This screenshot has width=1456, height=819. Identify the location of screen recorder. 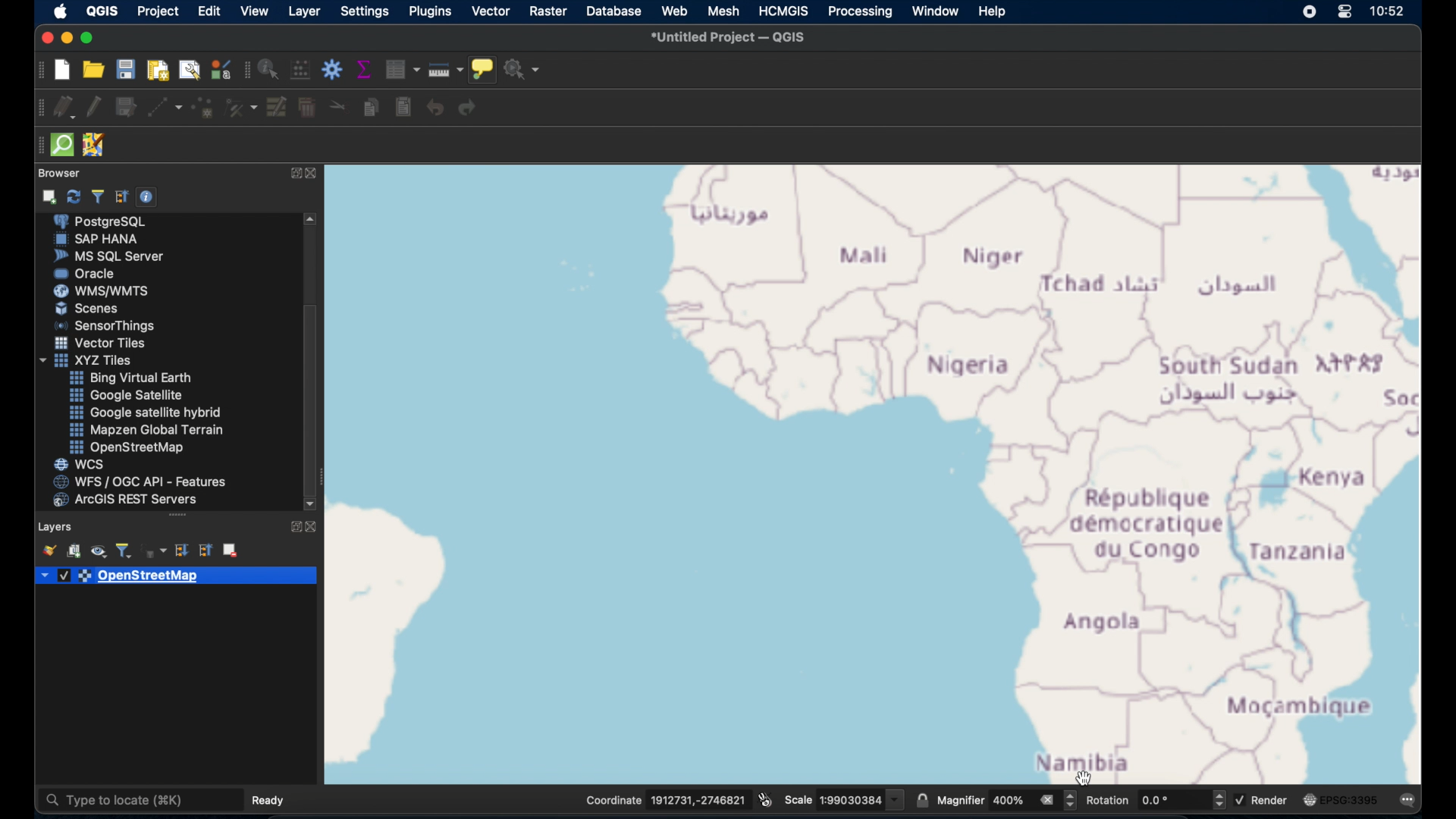
(1303, 13).